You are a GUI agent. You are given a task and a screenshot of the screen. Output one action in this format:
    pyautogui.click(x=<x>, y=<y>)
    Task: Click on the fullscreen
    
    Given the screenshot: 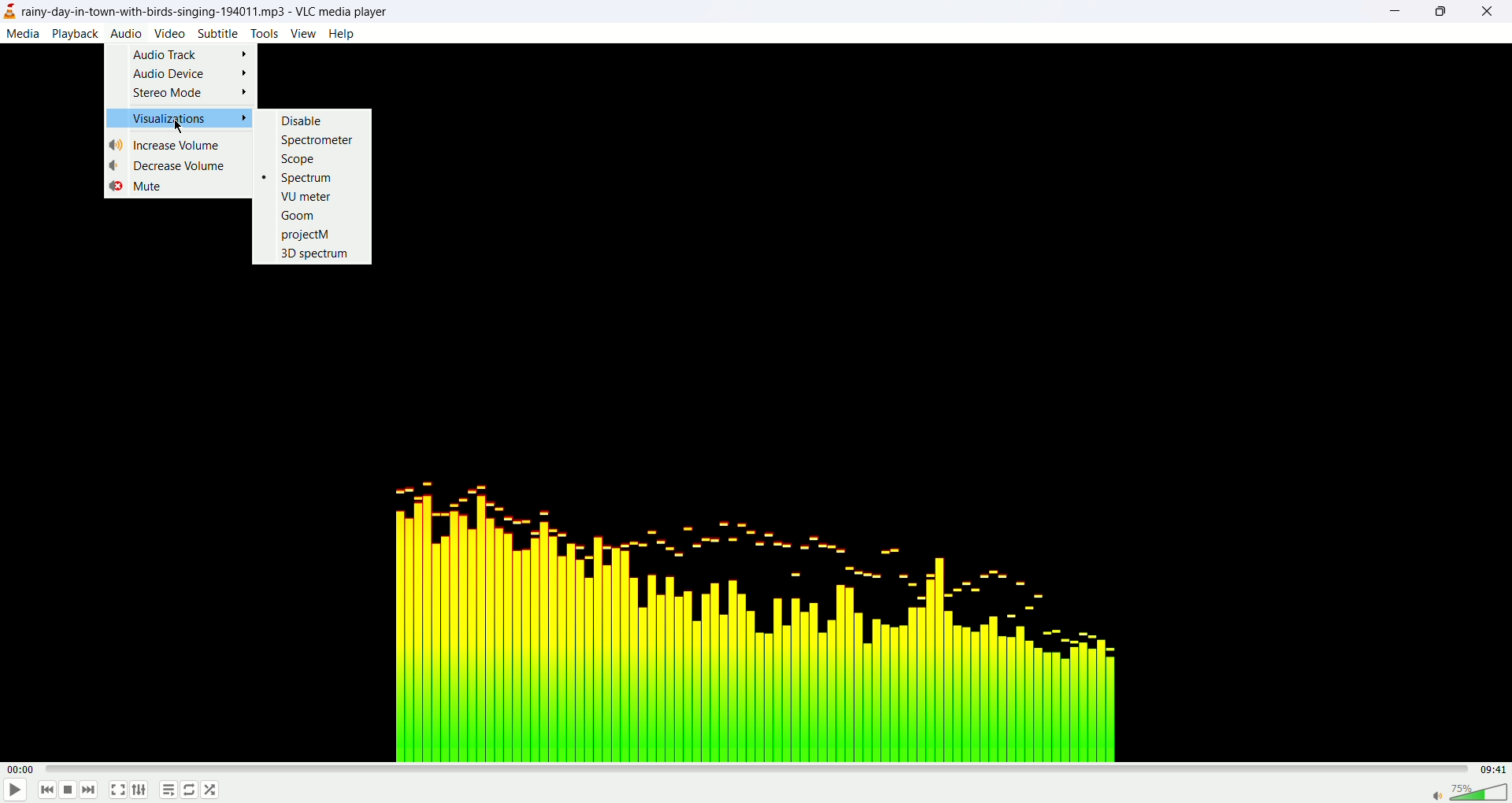 What is the action you would take?
    pyautogui.click(x=117, y=791)
    